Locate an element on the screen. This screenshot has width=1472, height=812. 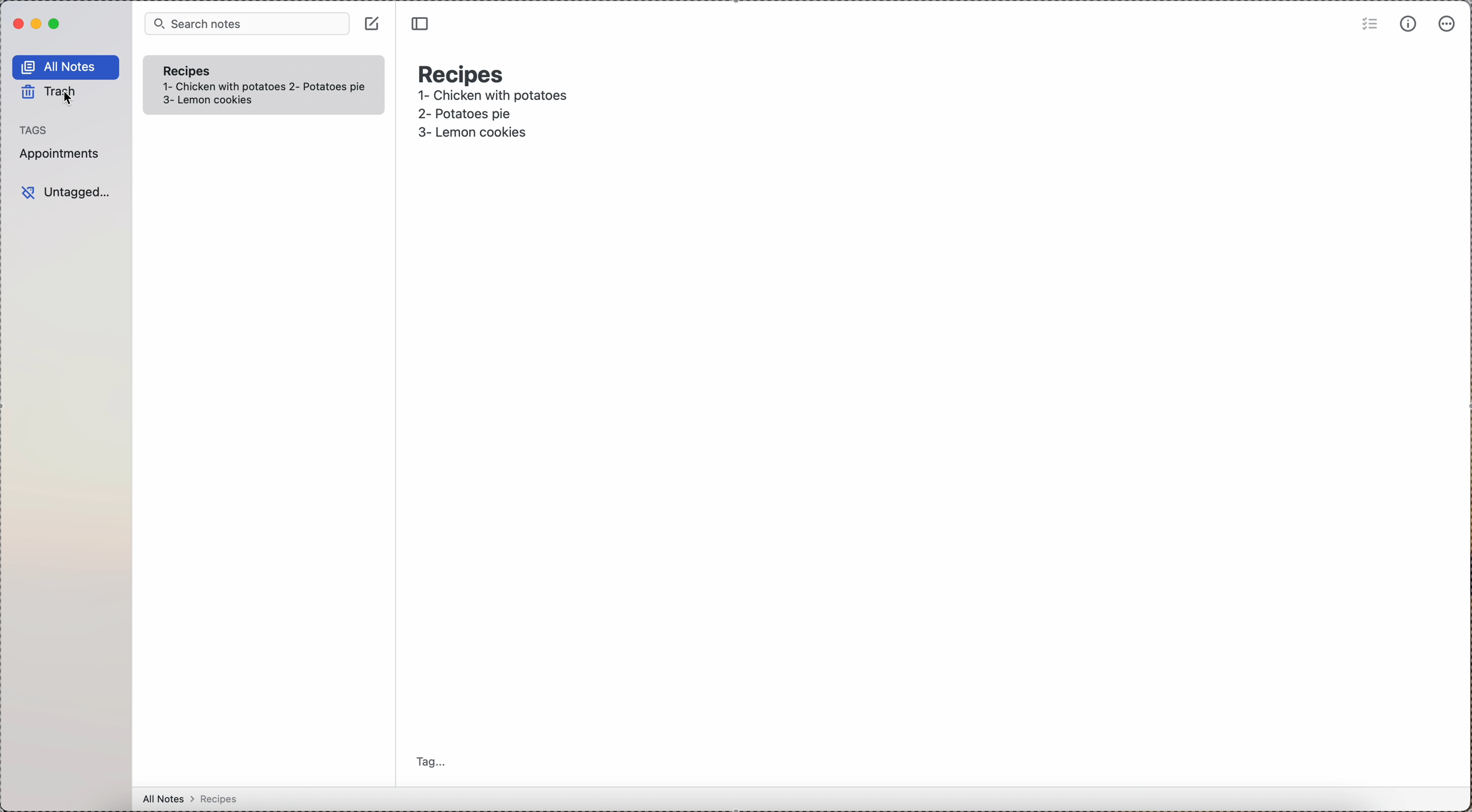
search bar is located at coordinates (245, 24).